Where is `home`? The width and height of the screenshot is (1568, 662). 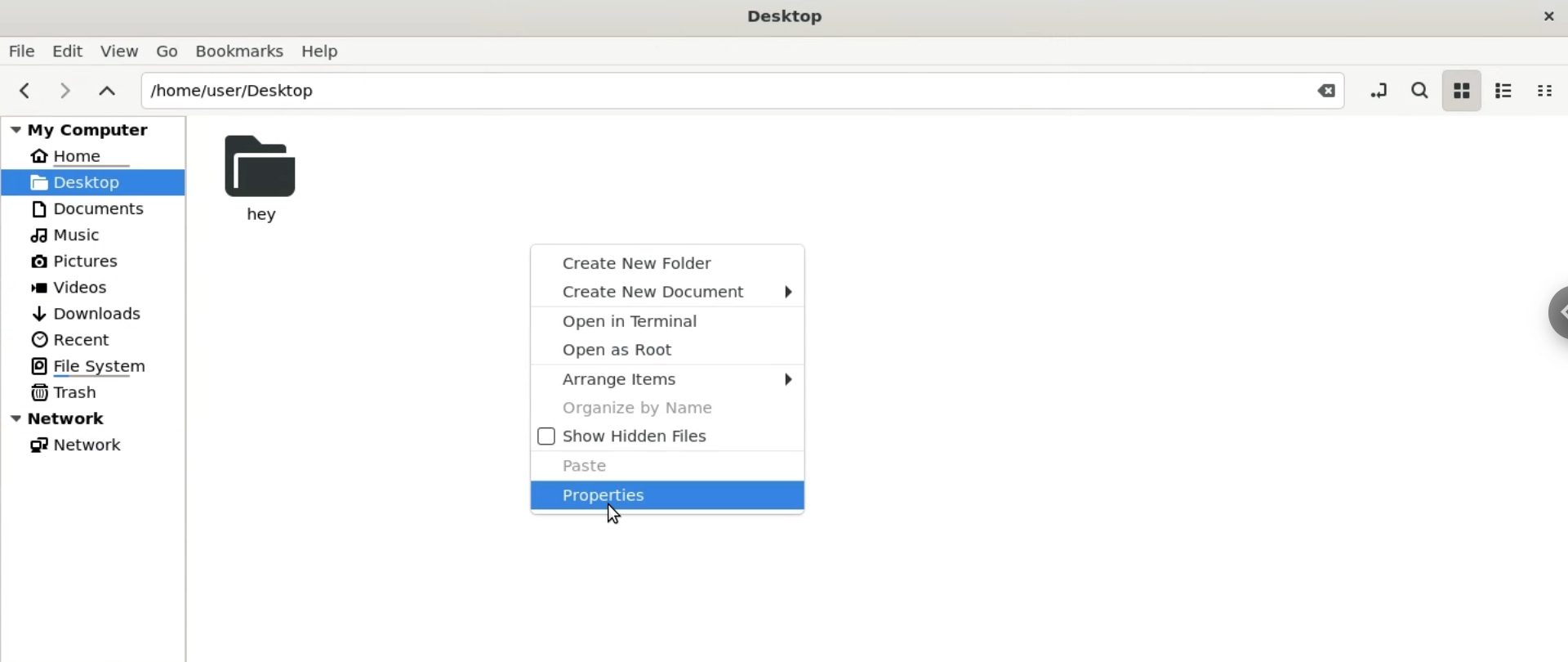
home is located at coordinates (84, 155).